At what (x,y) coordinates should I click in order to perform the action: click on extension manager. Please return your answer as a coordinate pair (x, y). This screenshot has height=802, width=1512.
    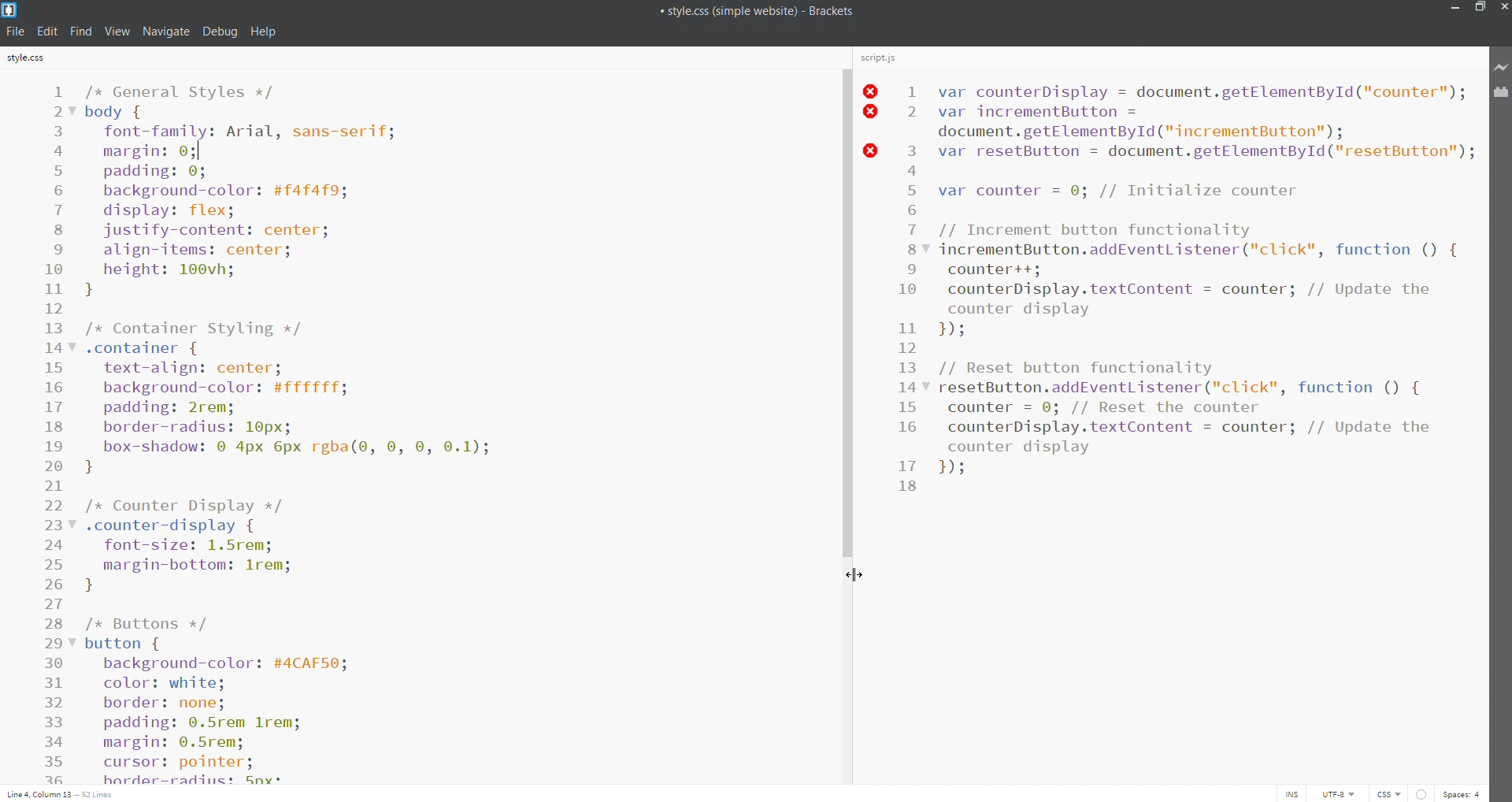
    Looking at the image, I should click on (1499, 94).